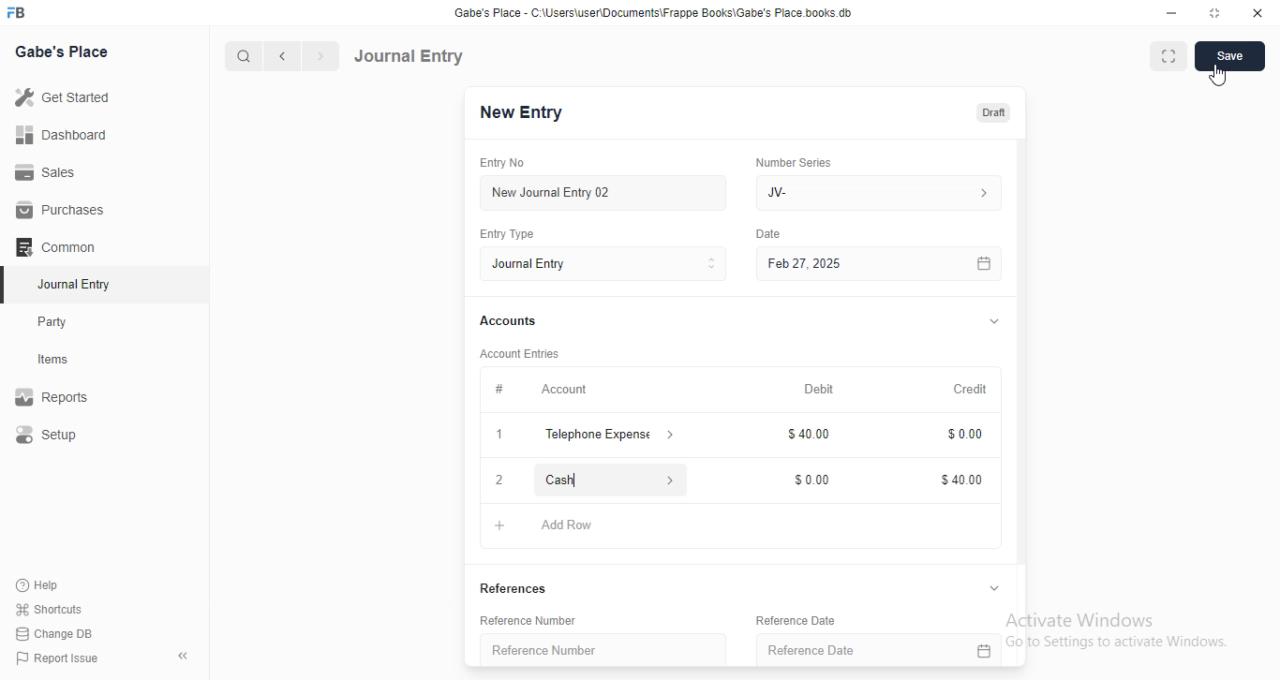 This screenshot has height=680, width=1280. I want to click on Journal Entry, so click(412, 55).